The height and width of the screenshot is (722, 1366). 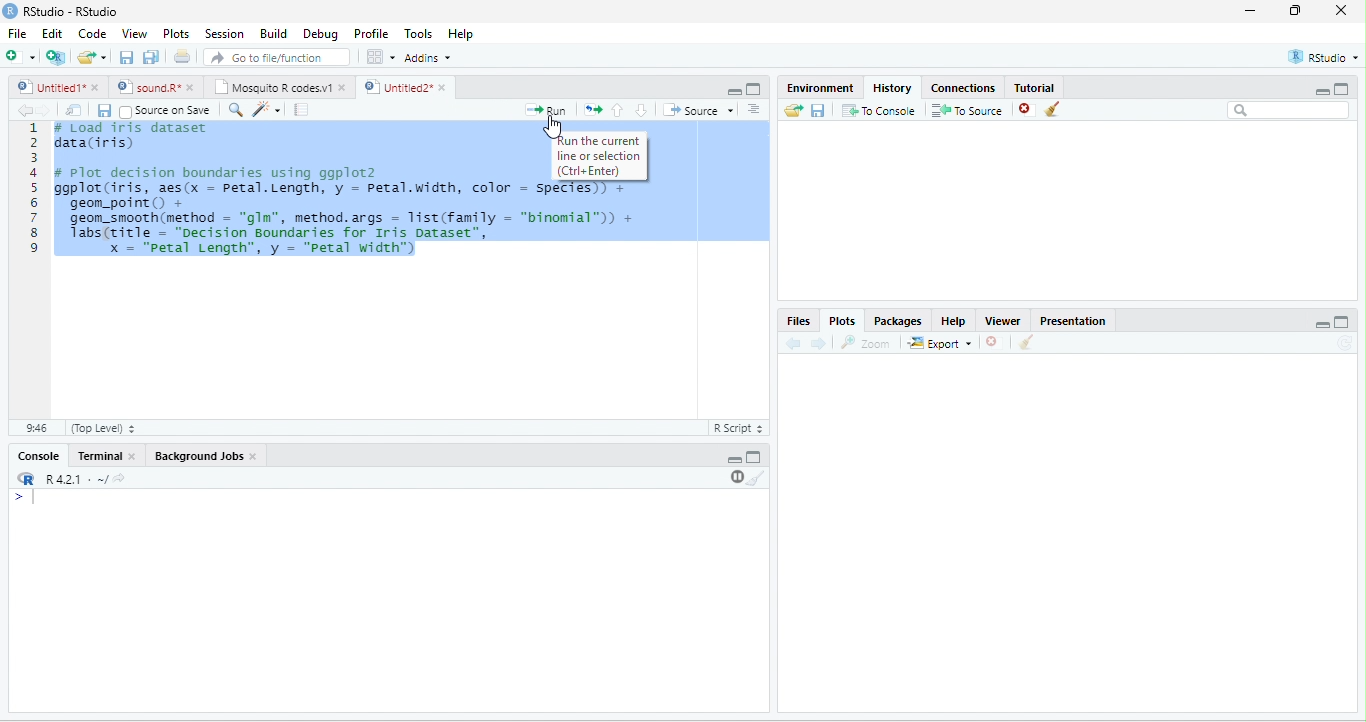 I want to click on close, so click(x=134, y=457).